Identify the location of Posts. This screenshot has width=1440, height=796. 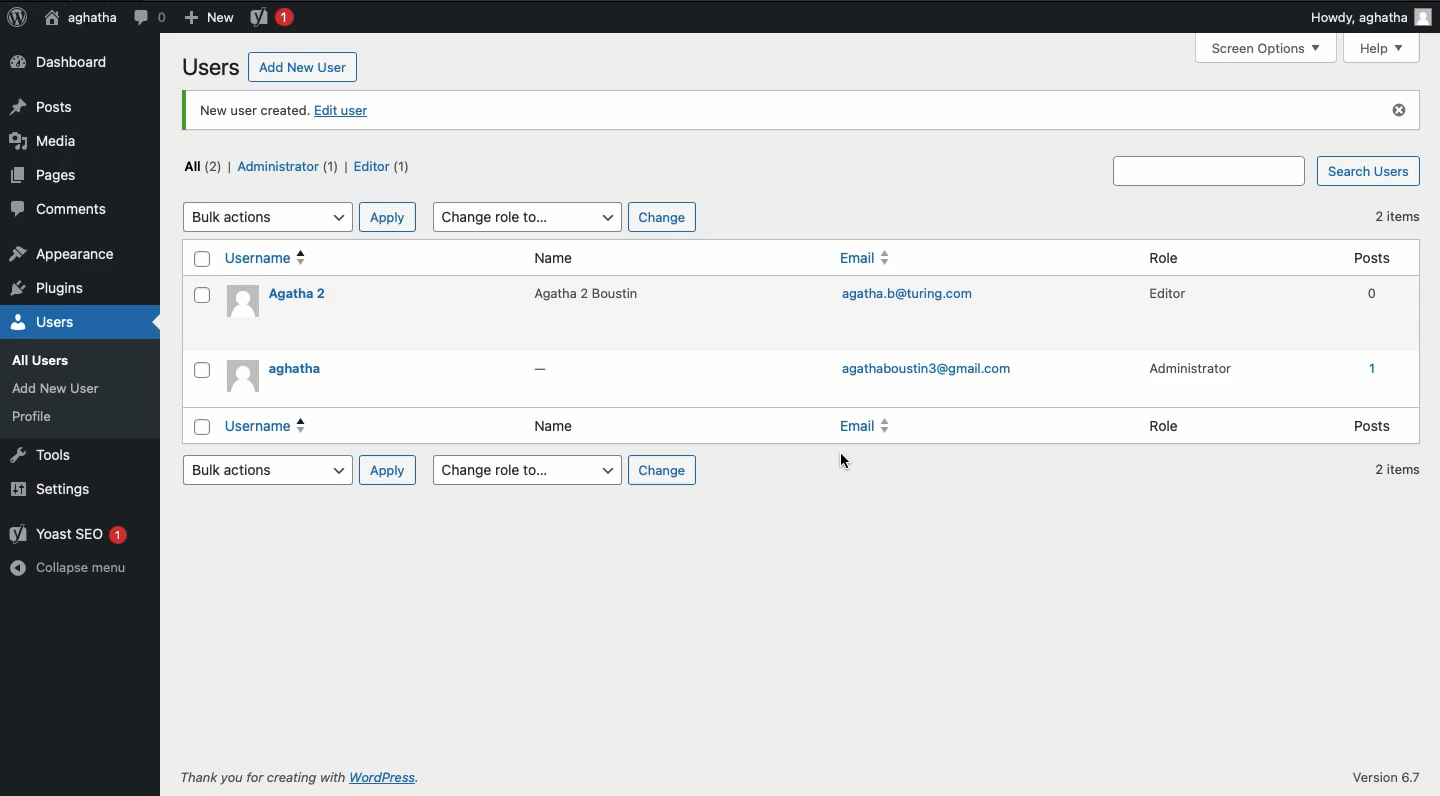
(1362, 258).